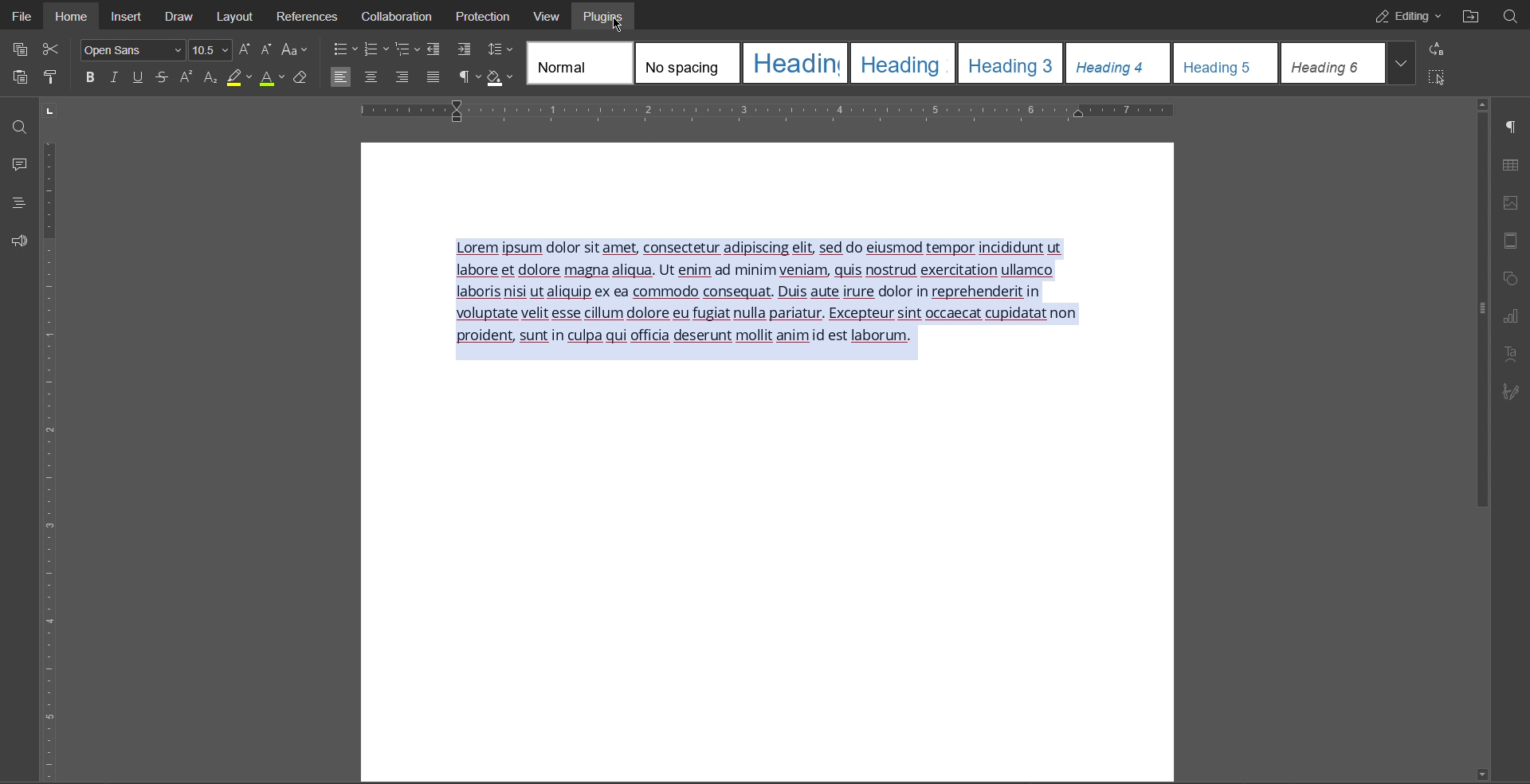 The height and width of the screenshot is (784, 1530). What do you see at coordinates (795, 63) in the screenshot?
I see `heading` at bounding box center [795, 63].